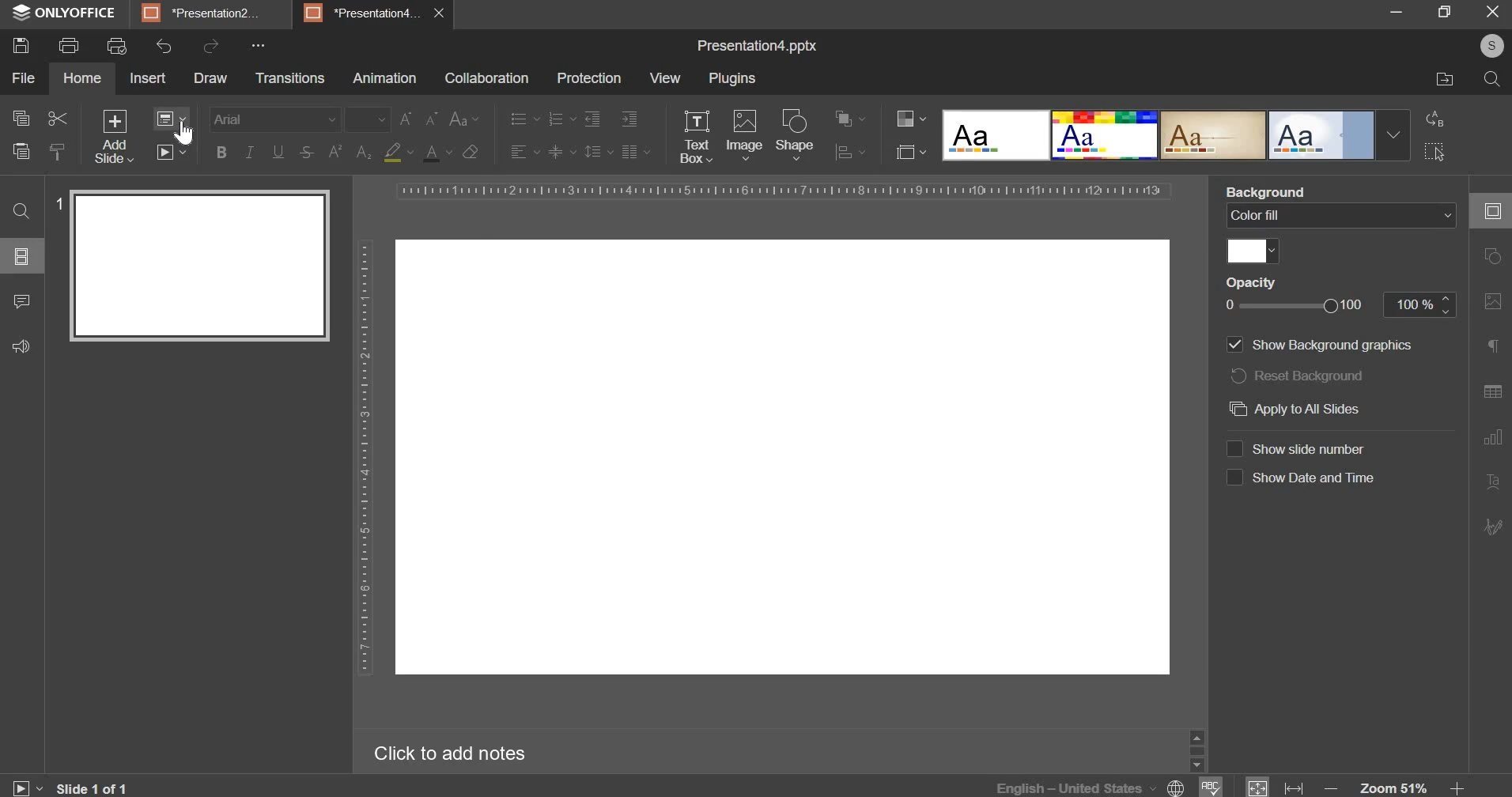  What do you see at coordinates (1491, 483) in the screenshot?
I see `text art` at bounding box center [1491, 483].